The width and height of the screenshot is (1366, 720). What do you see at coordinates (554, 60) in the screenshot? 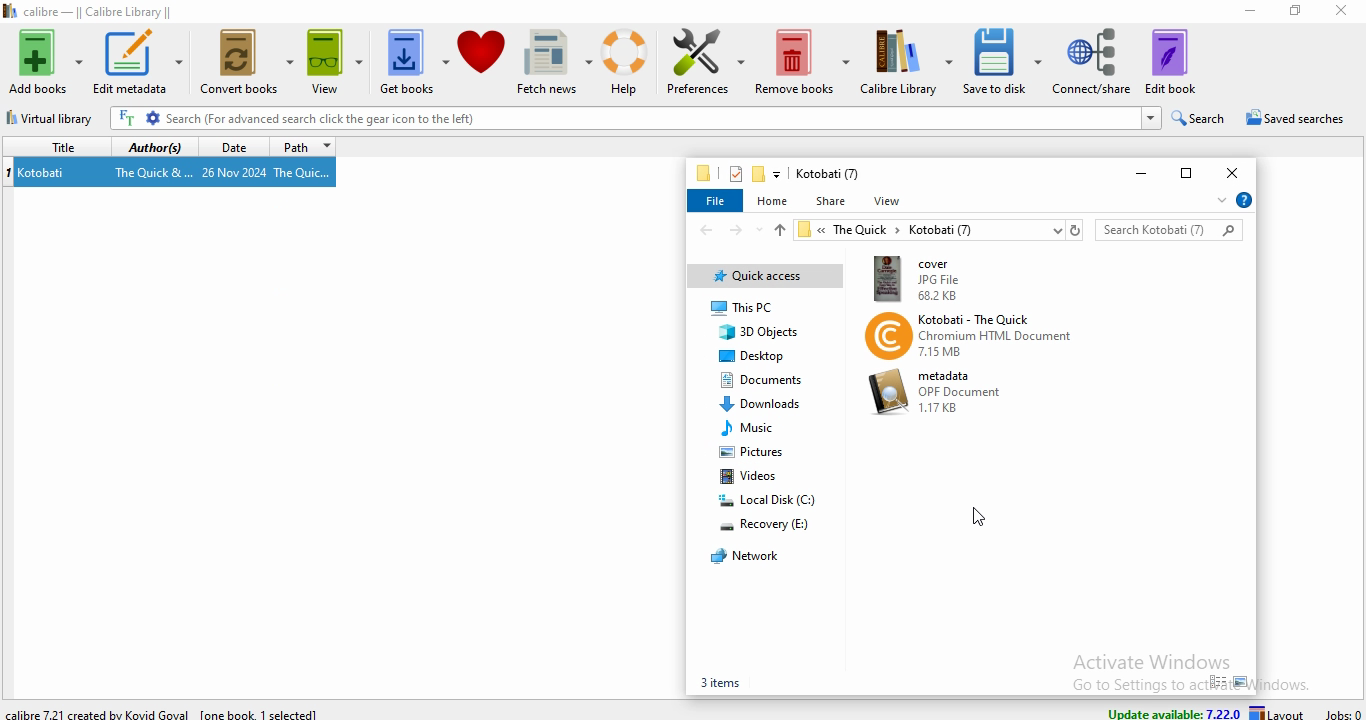
I see `fetch news` at bounding box center [554, 60].